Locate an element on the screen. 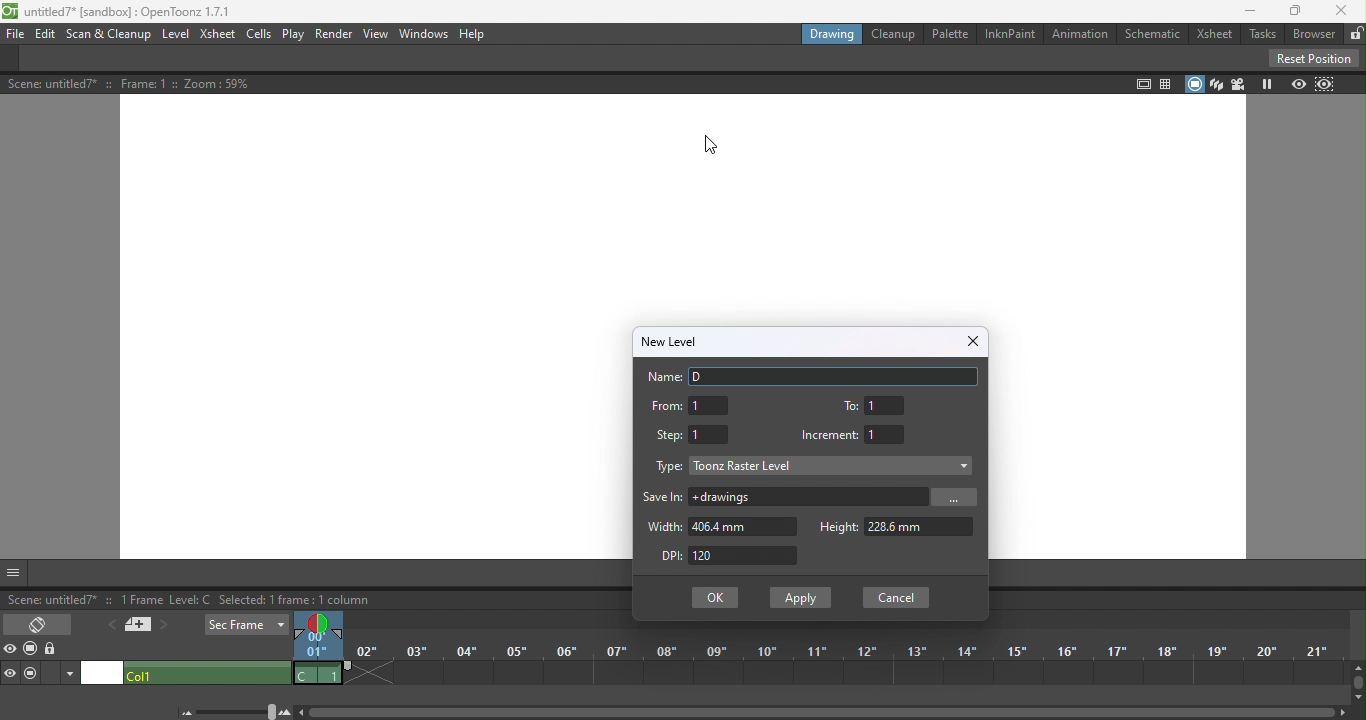 The height and width of the screenshot is (720, 1366). Window  is located at coordinates (424, 33).